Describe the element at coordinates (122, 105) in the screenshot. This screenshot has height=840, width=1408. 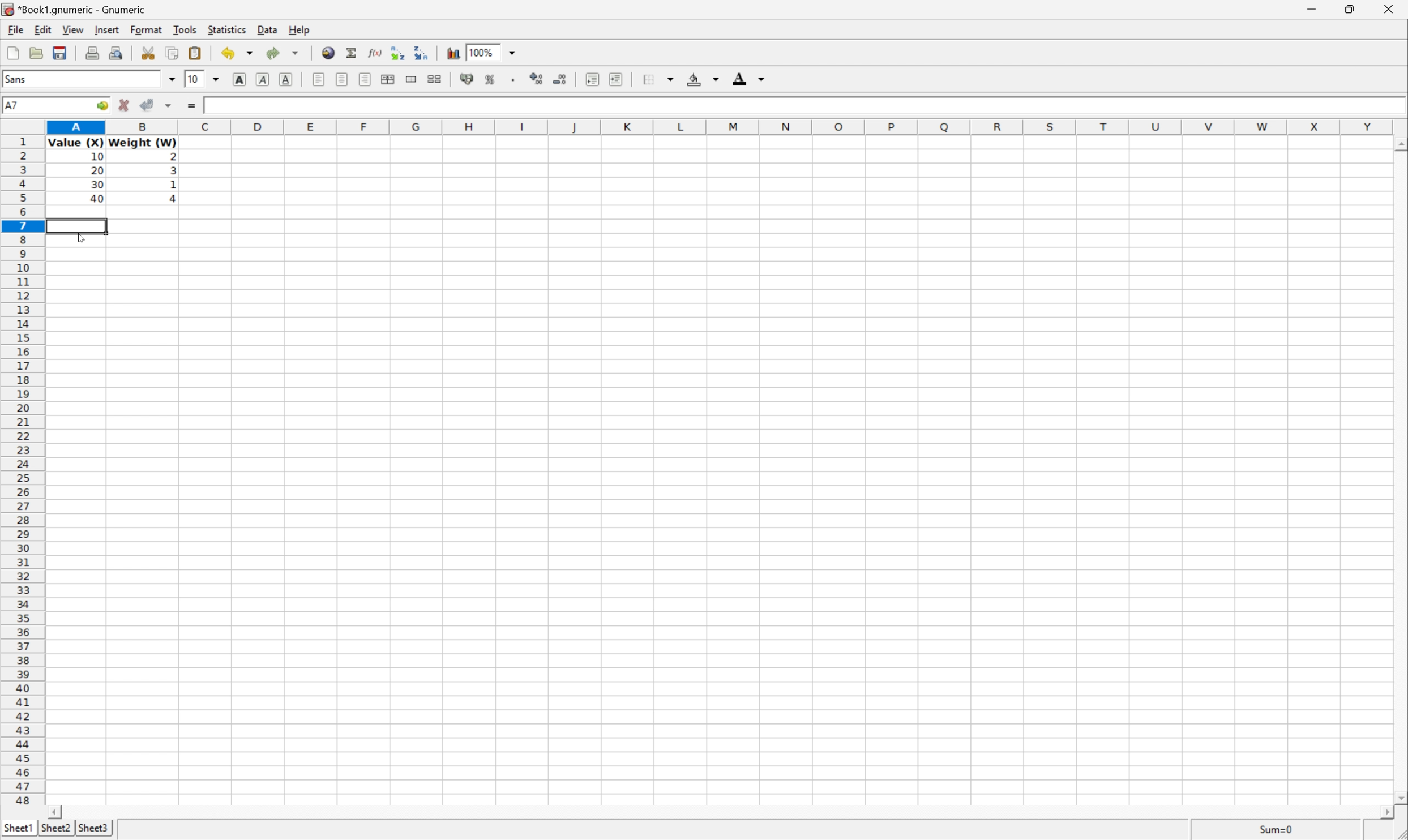
I see `Cancel changes` at that location.